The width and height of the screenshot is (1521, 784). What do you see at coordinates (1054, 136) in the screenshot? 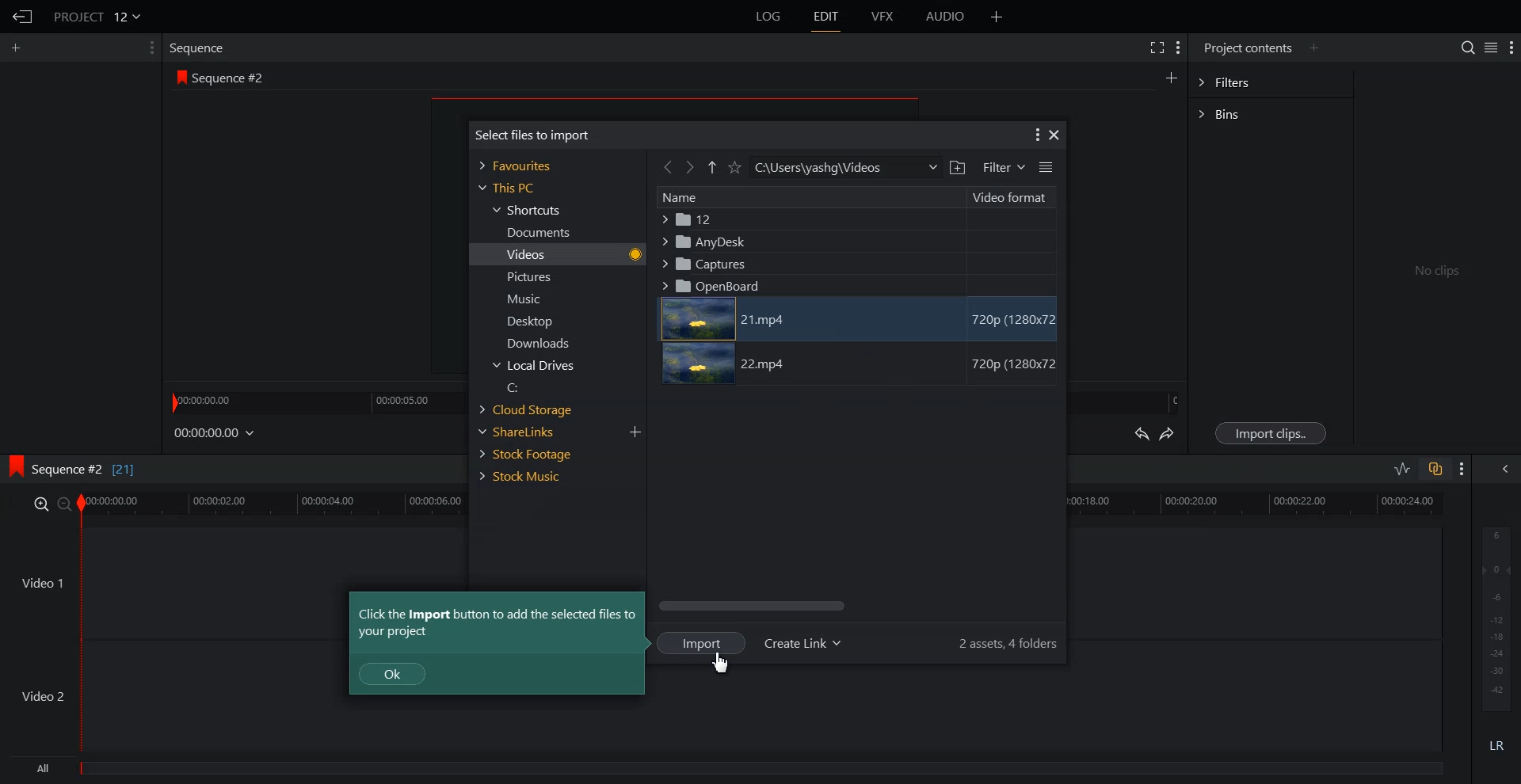
I see `Close` at bounding box center [1054, 136].